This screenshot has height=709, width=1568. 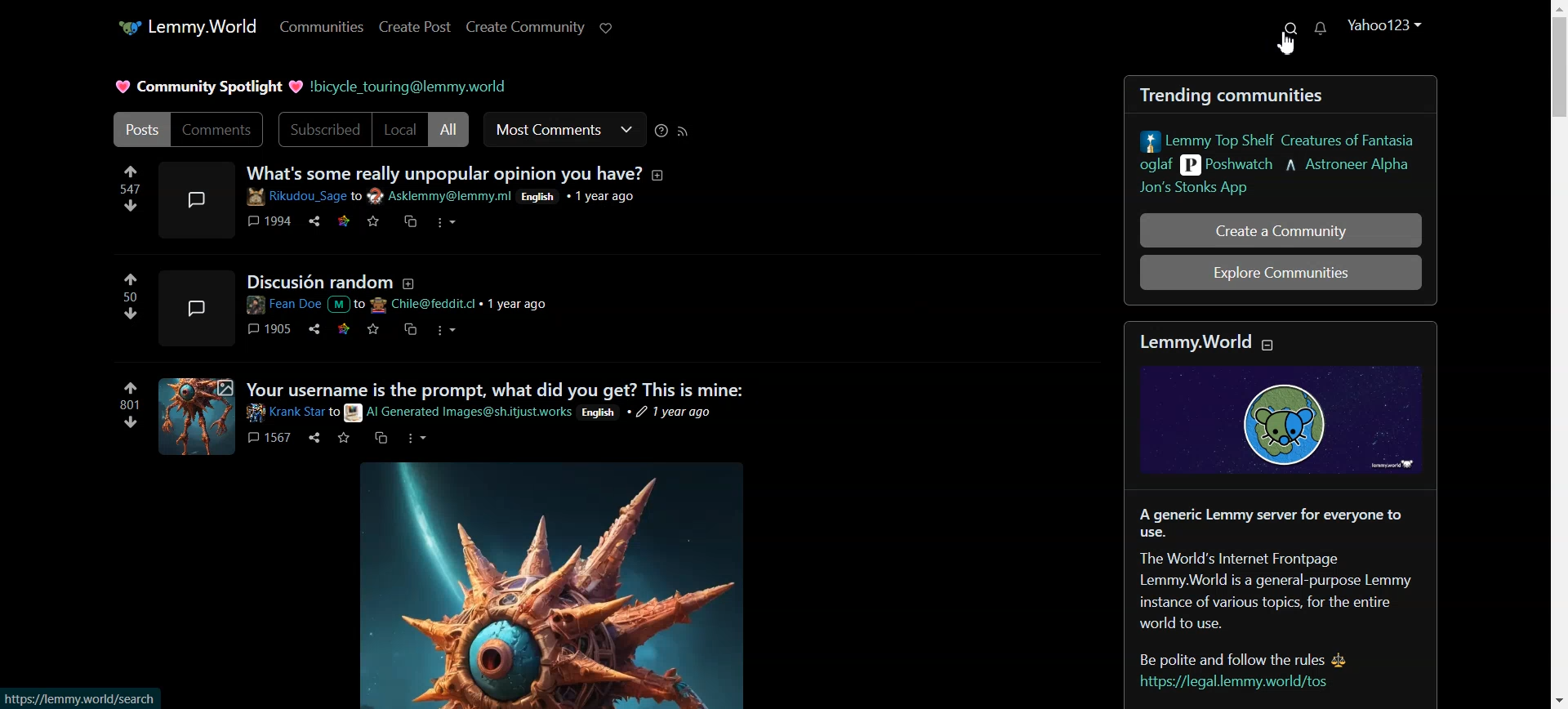 I want to click on Upvotes and downvotes, so click(x=131, y=407).